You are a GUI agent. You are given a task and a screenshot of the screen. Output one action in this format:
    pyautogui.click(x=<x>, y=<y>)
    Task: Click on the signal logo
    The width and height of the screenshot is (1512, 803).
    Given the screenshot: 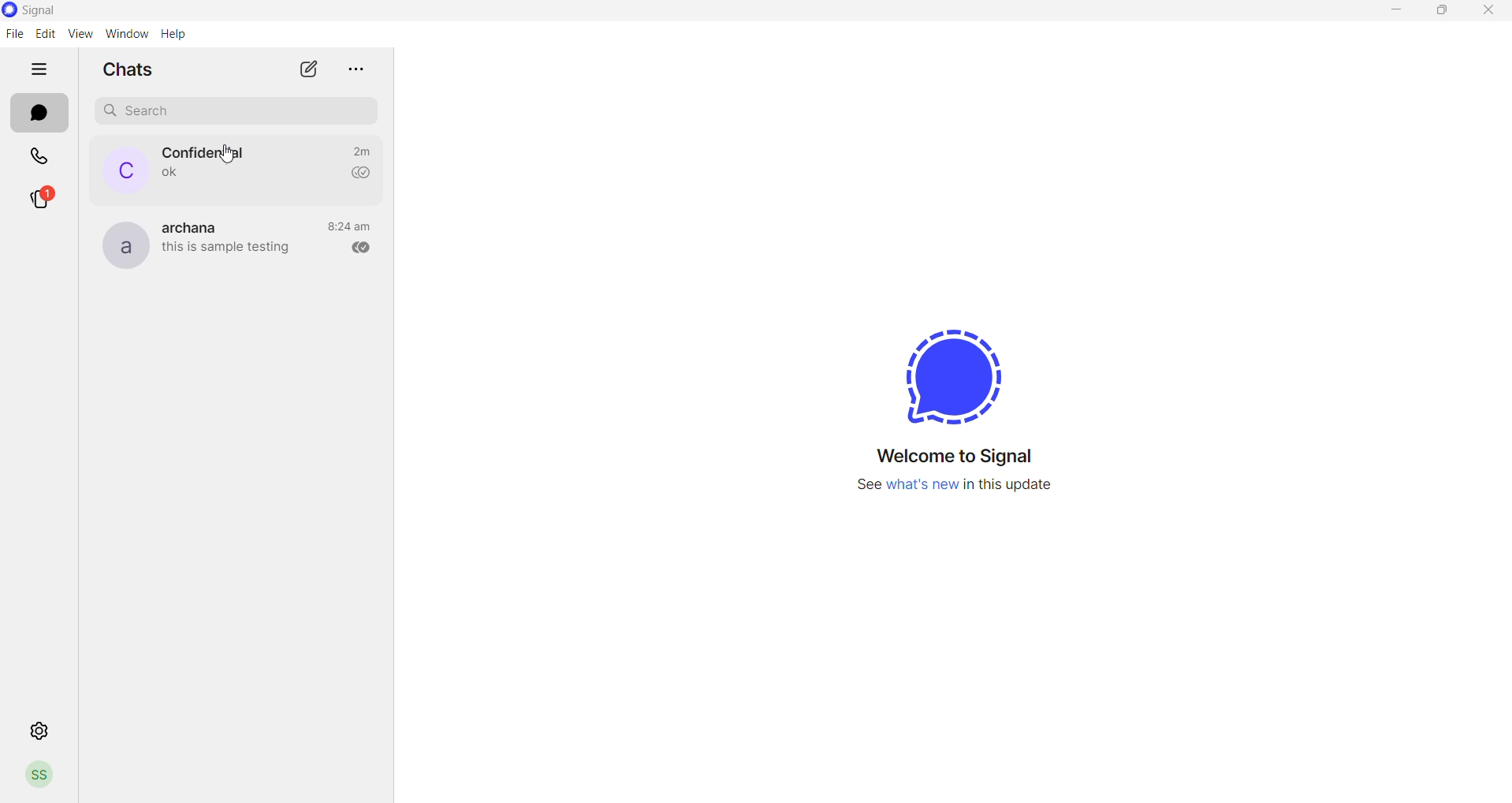 What is the action you would take?
    pyautogui.click(x=952, y=368)
    